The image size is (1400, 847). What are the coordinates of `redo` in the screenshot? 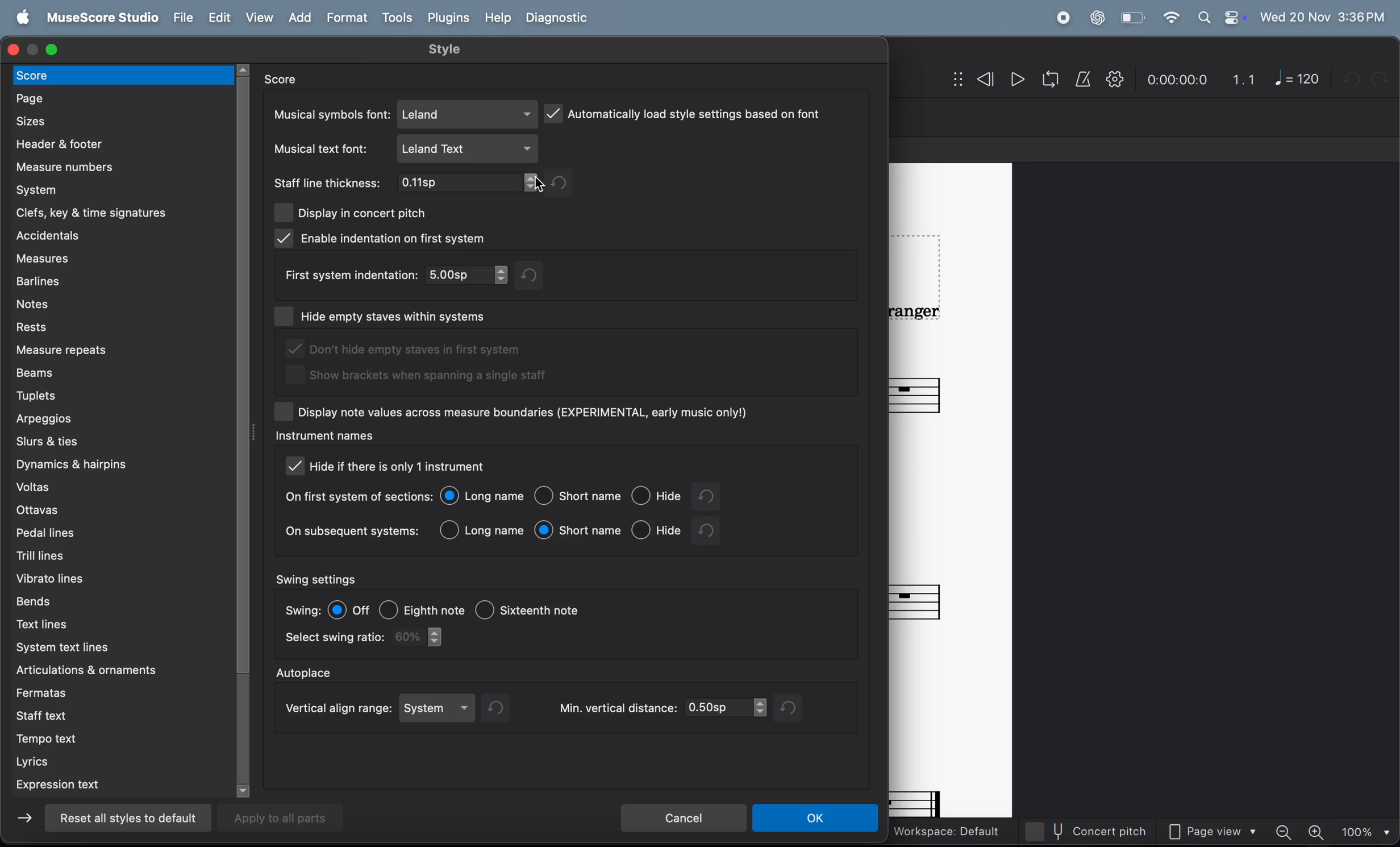 It's located at (539, 275).